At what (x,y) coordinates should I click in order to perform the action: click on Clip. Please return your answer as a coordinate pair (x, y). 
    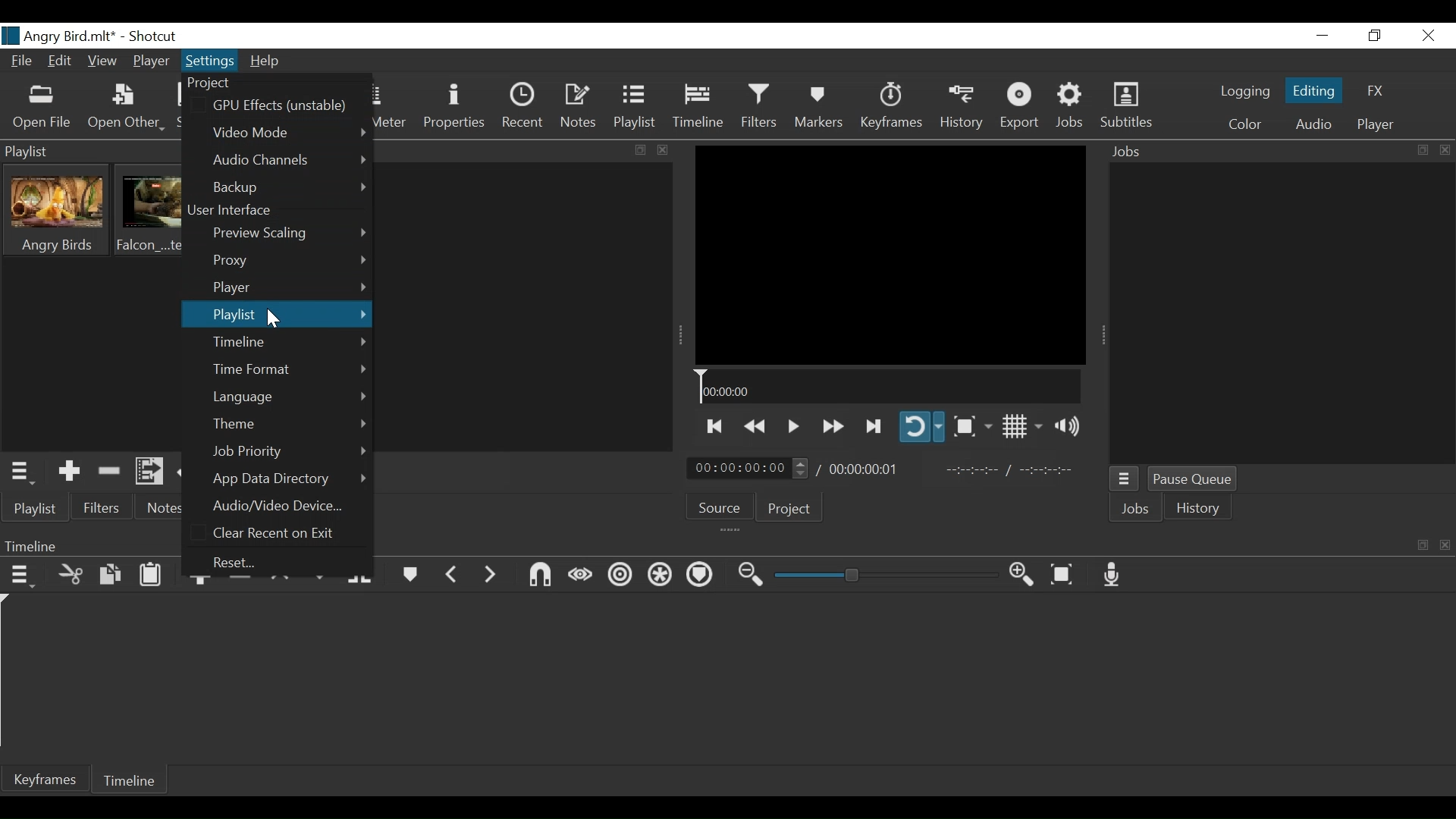
    Looking at the image, I should click on (58, 211).